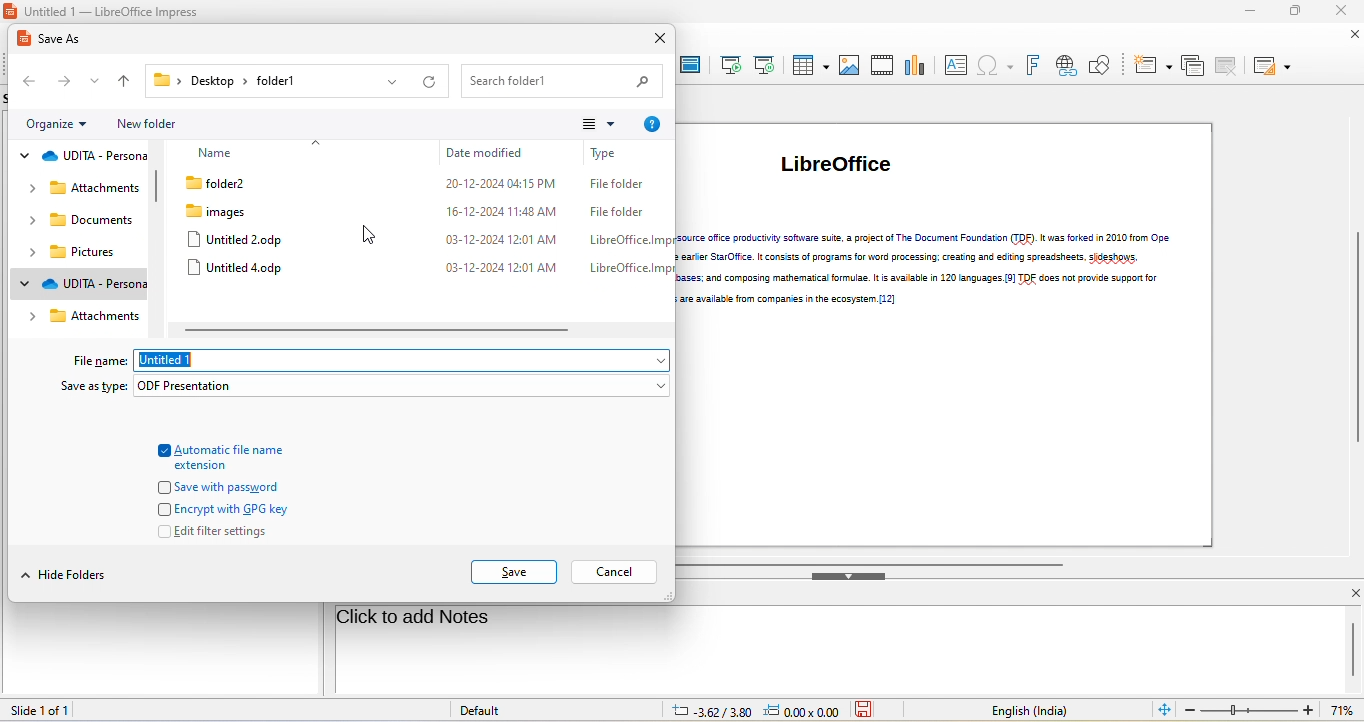 The height and width of the screenshot is (722, 1364). What do you see at coordinates (88, 388) in the screenshot?
I see `save as type` at bounding box center [88, 388].